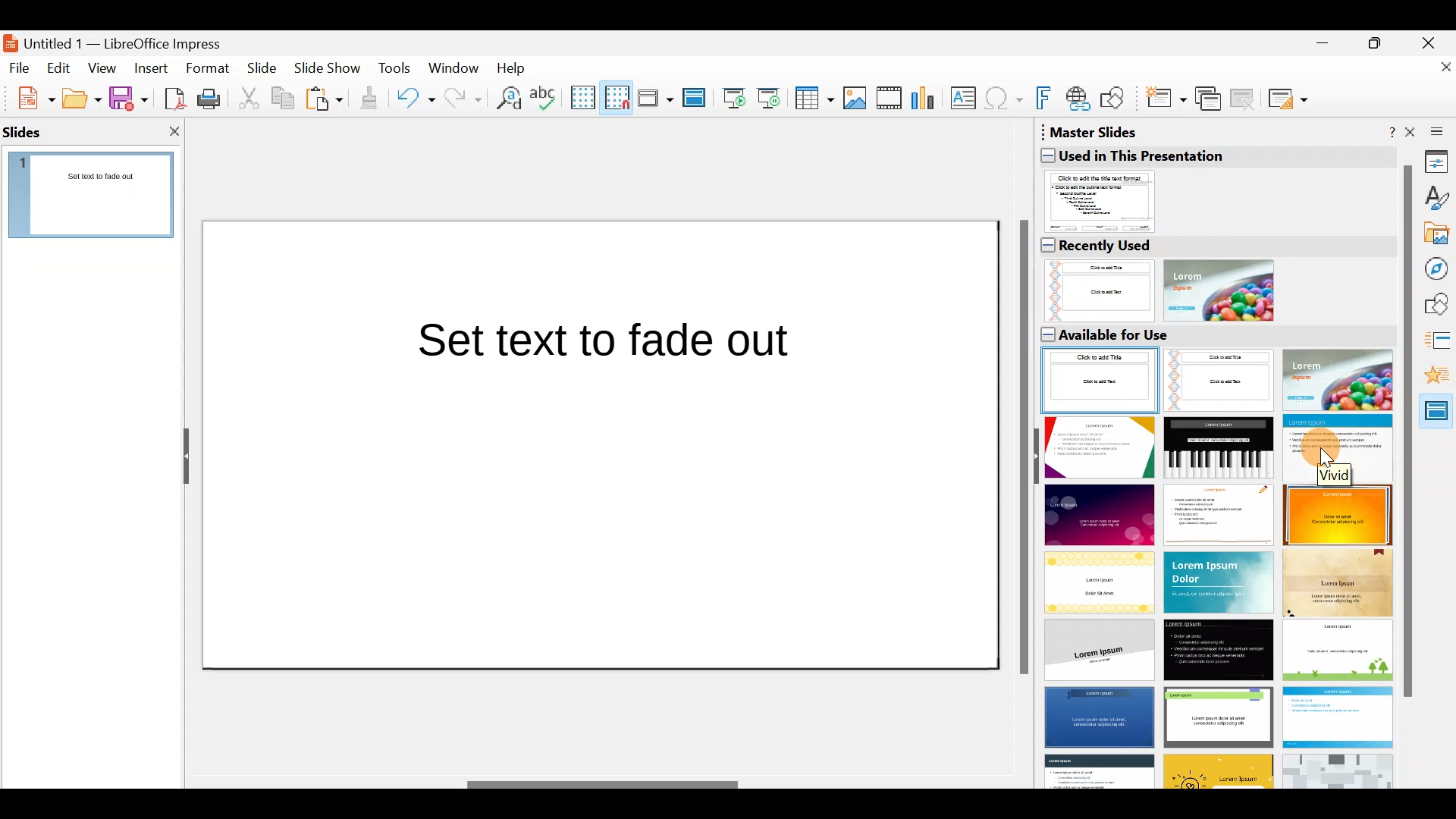  Describe the element at coordinates (696, 99) in the screenshot. I see `Master slide` at that location.